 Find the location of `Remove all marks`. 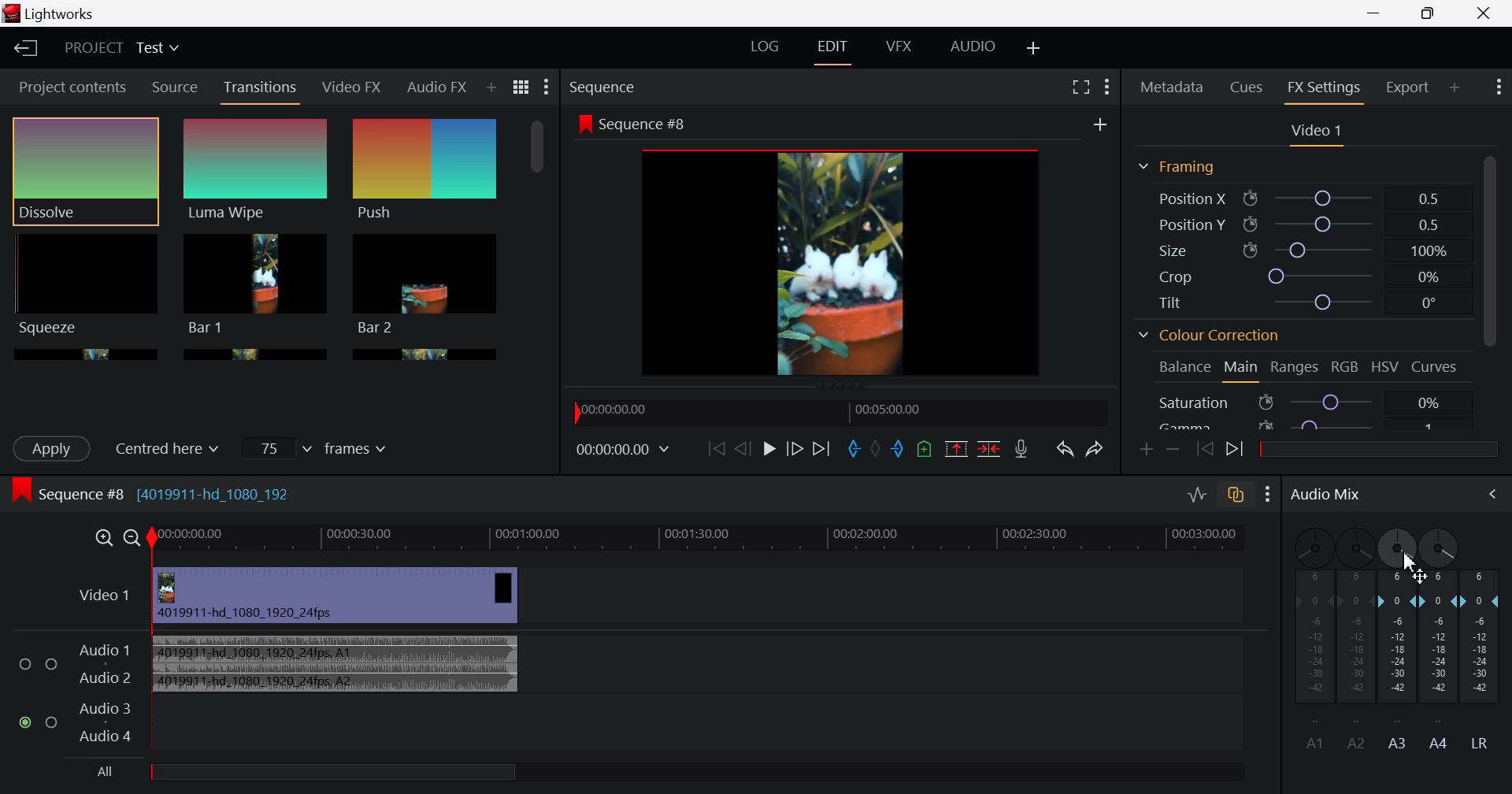

Remove all marks is located at coordinates (875, 449).